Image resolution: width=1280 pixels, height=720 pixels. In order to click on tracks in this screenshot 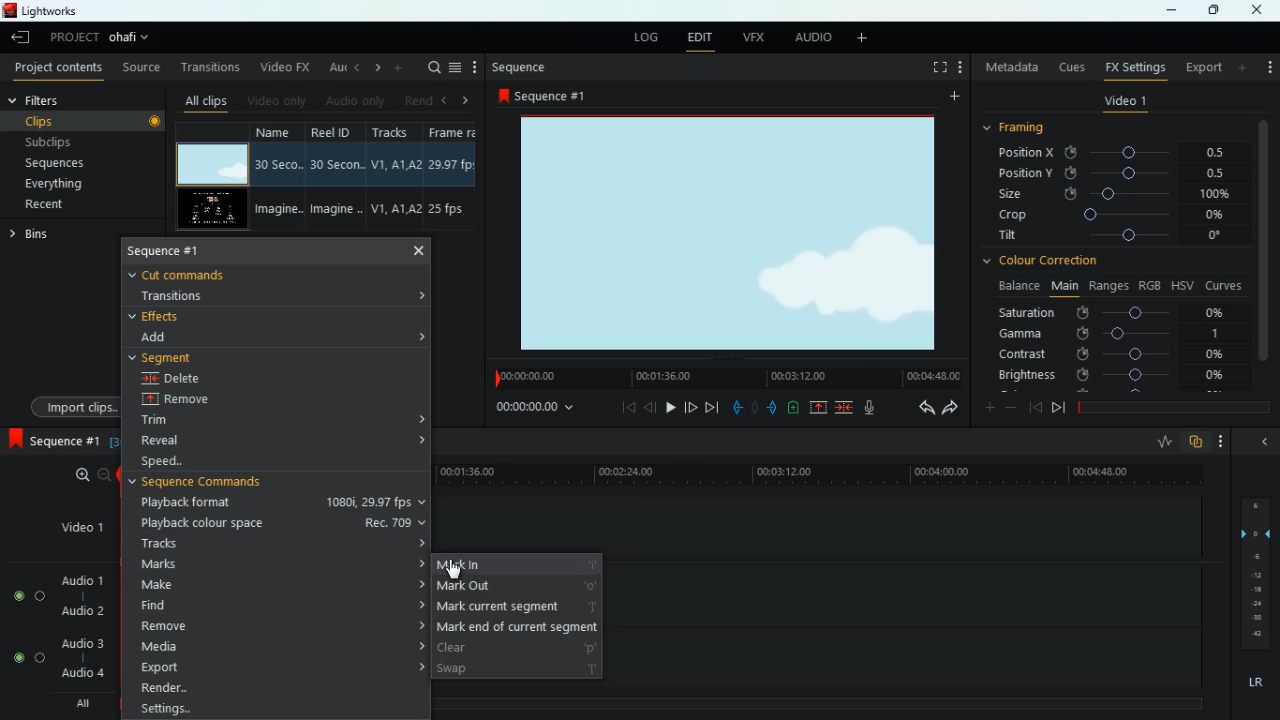, I will do `click(282, 544)`.